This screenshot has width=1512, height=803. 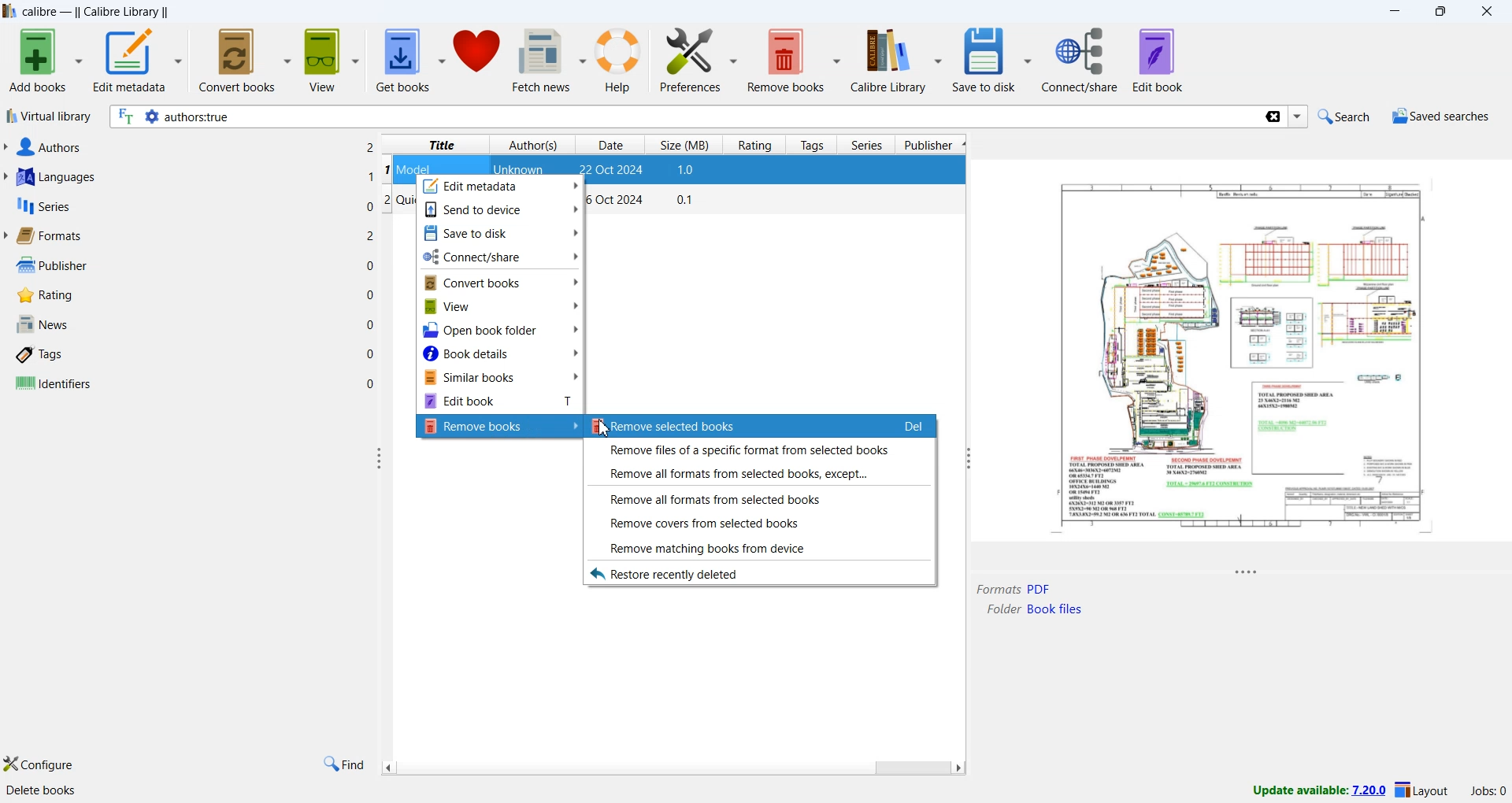 I want to click on close app, so click(x=1489, y=12).